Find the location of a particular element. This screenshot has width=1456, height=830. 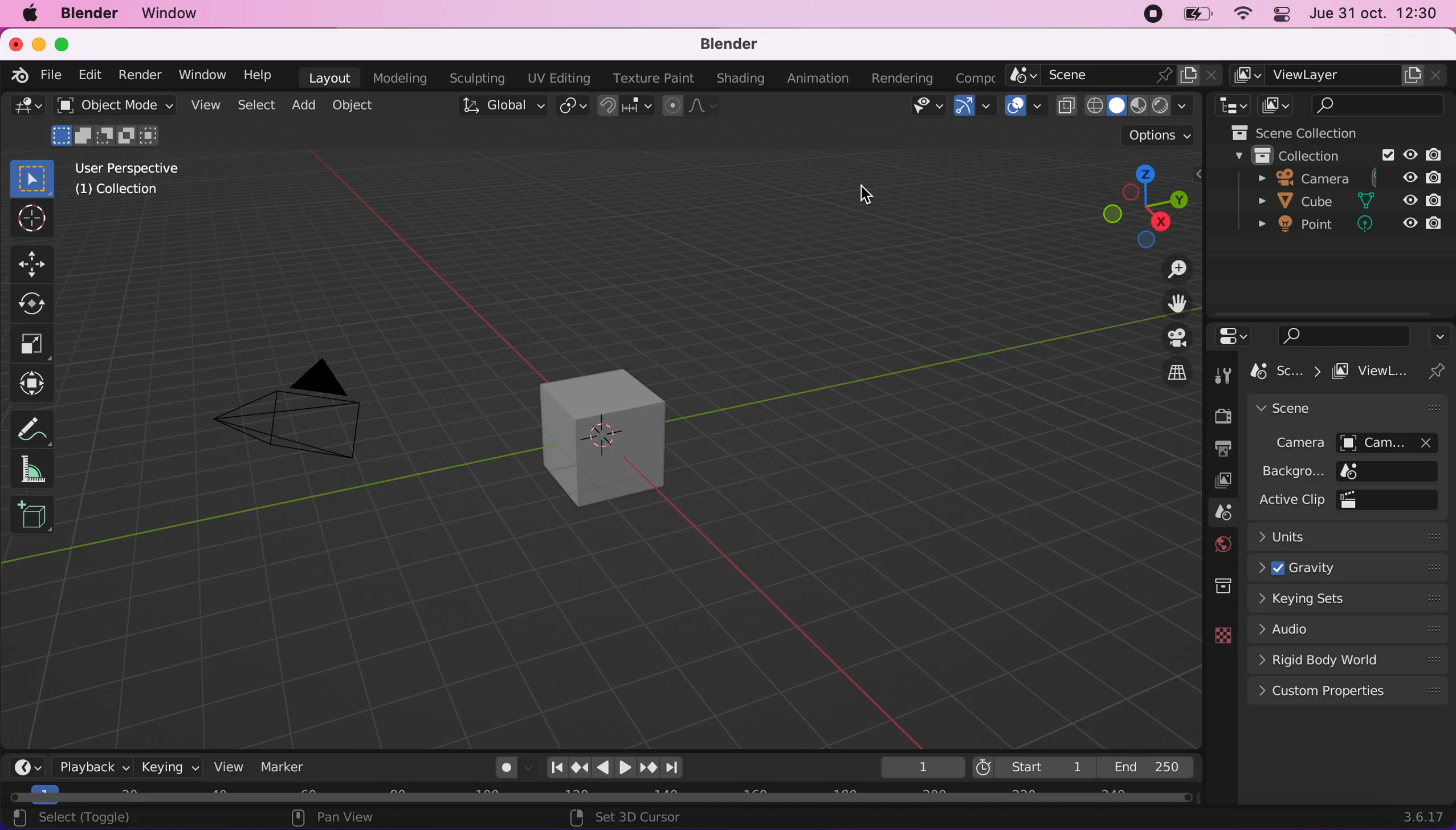

minimize is located at coordinates (38, 43).